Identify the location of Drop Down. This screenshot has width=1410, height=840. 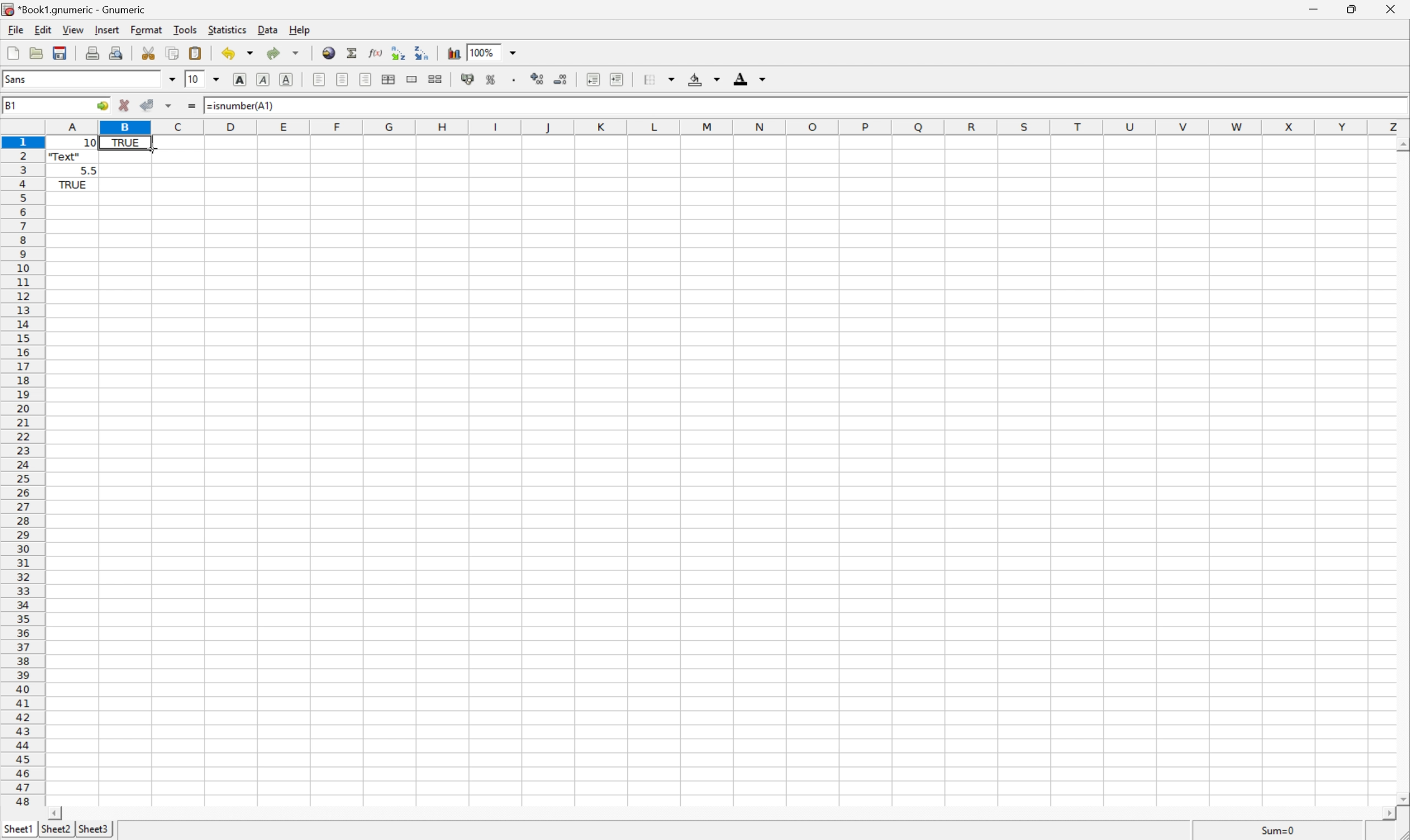
(512, 52).